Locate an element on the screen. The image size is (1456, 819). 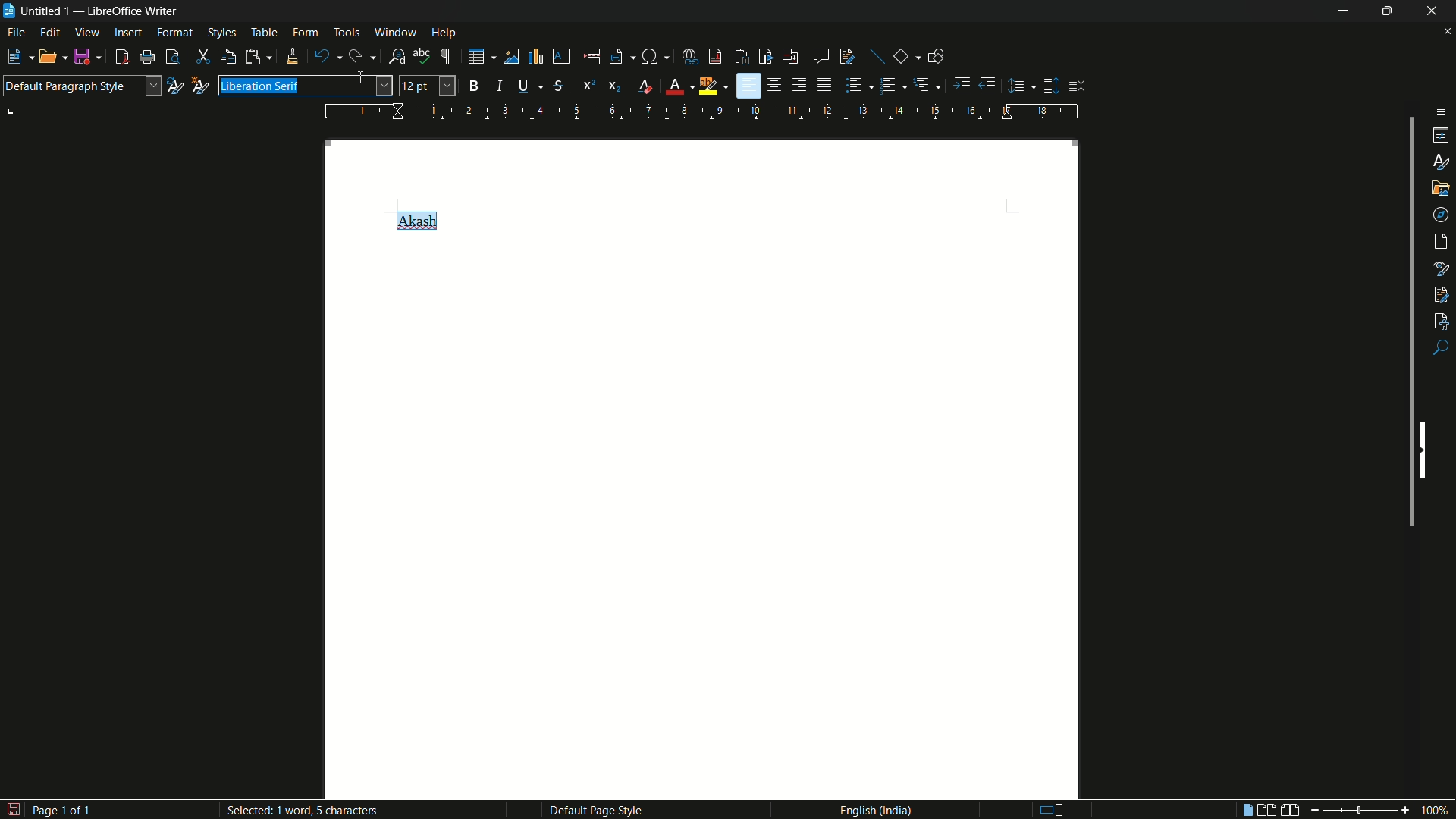
help menu is located at coordinates (444, 33).